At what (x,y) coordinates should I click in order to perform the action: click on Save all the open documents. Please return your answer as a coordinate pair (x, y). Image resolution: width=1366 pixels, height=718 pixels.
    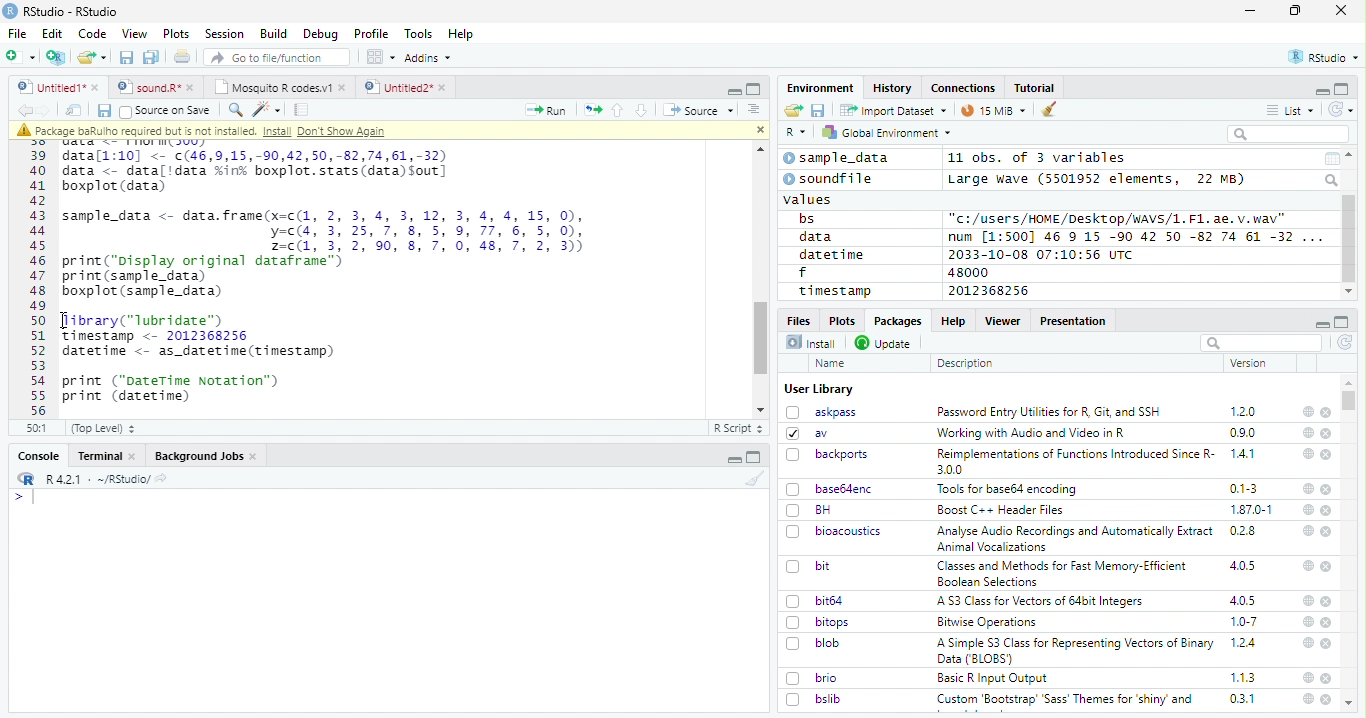
    Looking at the image, I should click on (152, 58).